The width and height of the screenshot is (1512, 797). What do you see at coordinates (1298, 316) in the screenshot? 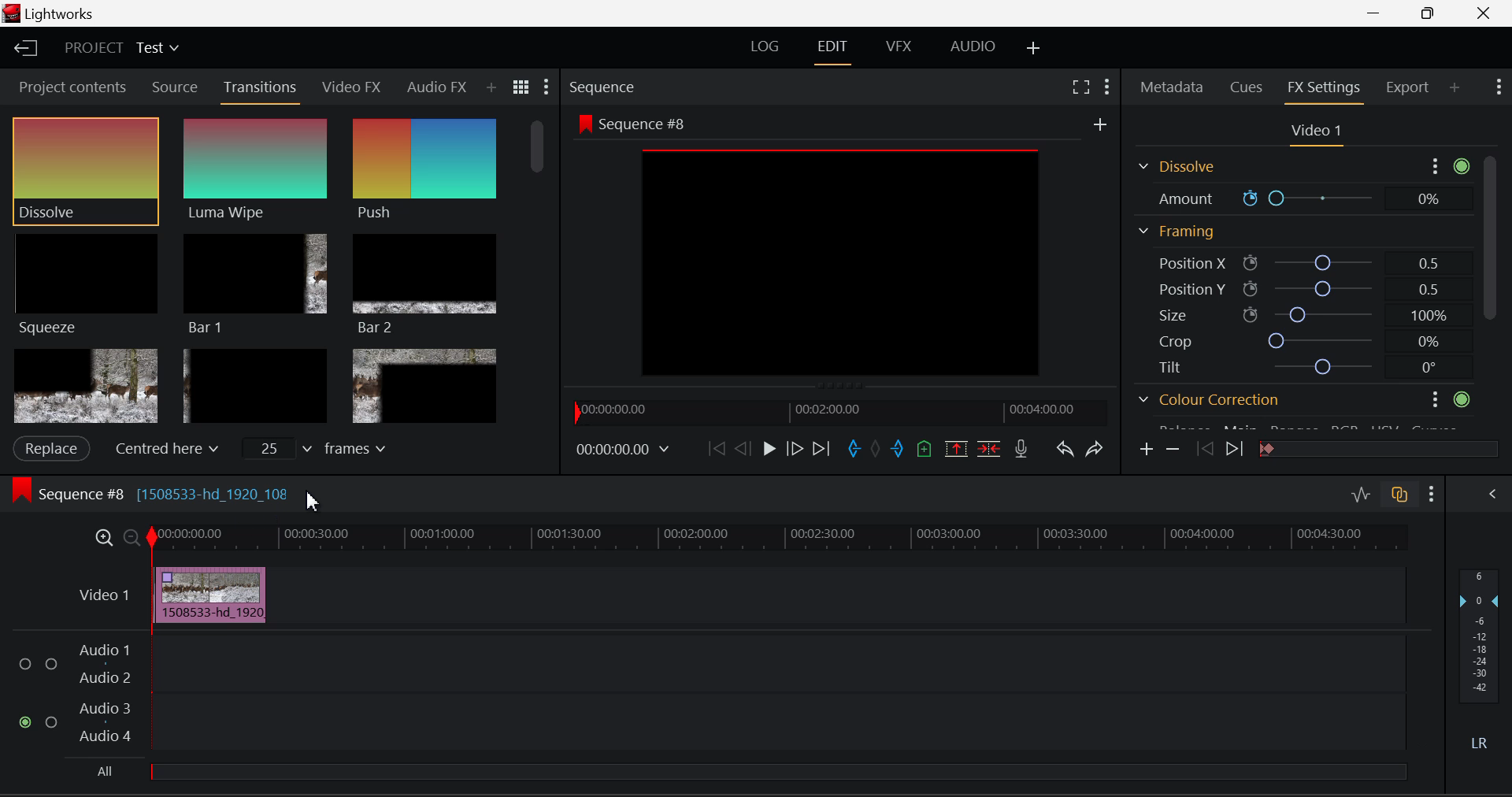
I see `Size` at bounding box center [1298, 316].